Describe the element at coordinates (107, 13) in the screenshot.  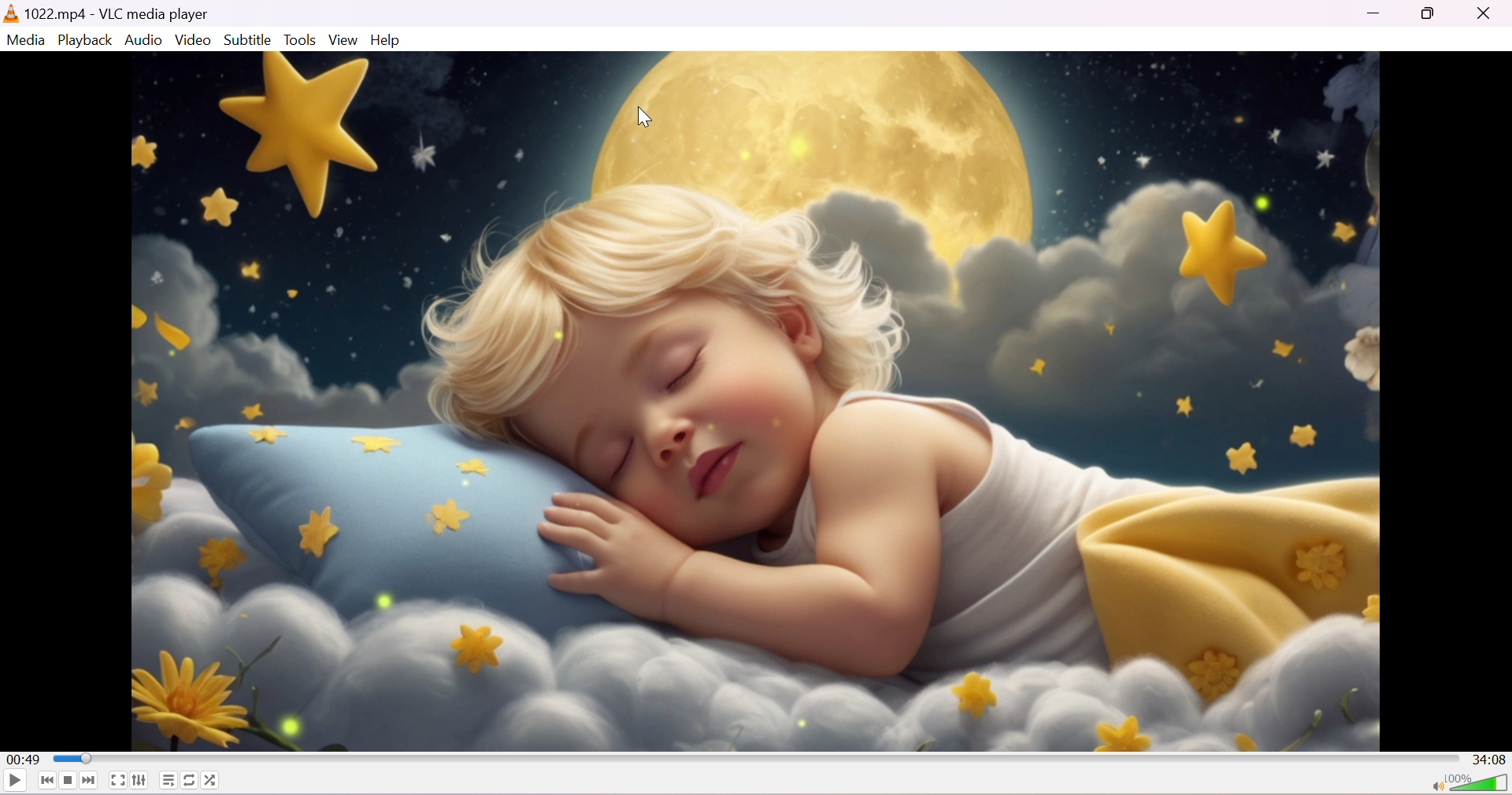
I see `1022.MP4 - VLC media player` at that location.